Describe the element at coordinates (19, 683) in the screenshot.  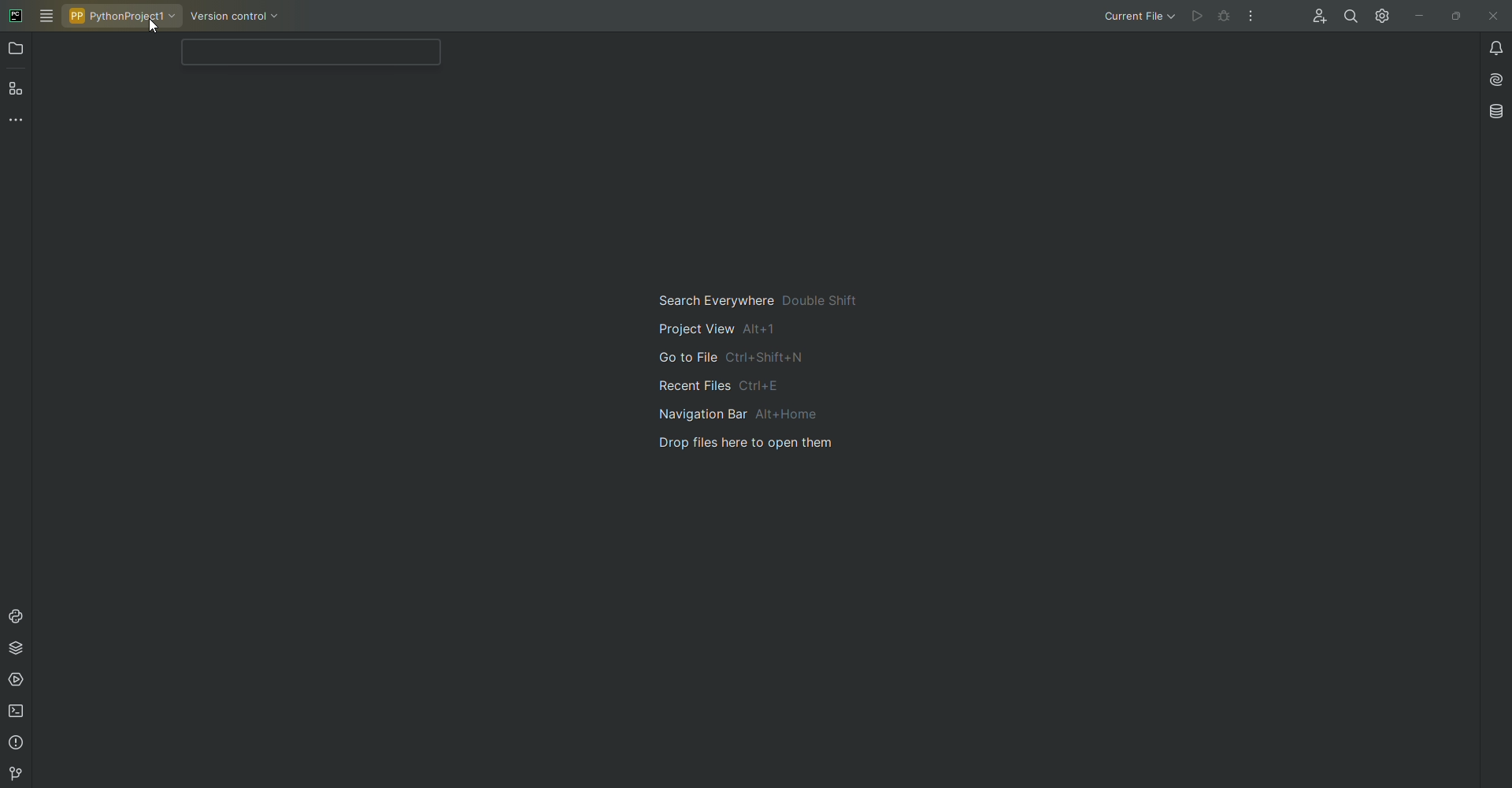
I see `Services` at that location.